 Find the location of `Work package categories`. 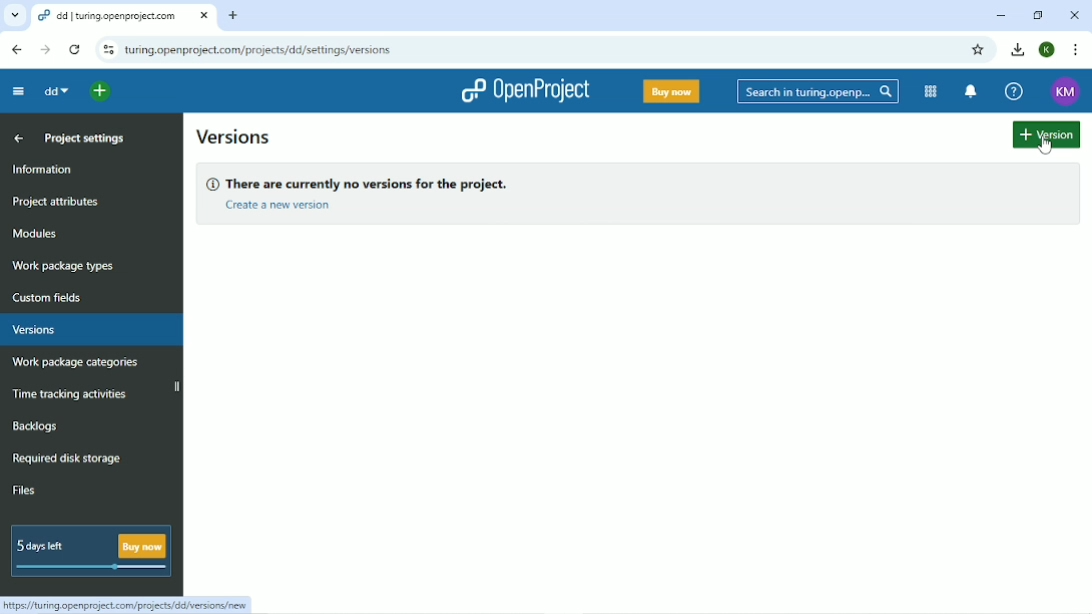

Work package categories is located at coordinates (74, 363).